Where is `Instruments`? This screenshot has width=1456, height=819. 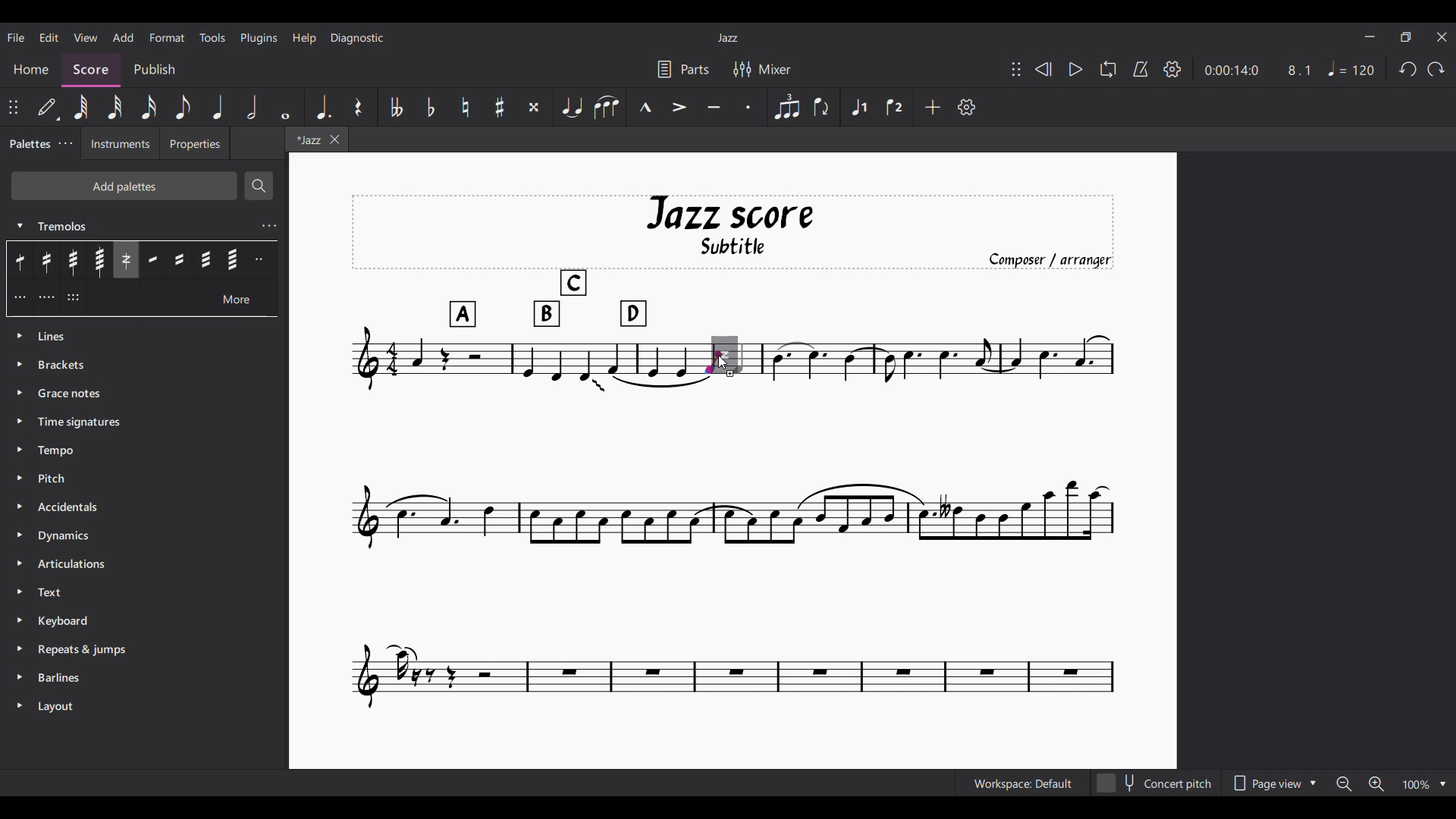
Instruments is located at coordinates (121, 143).